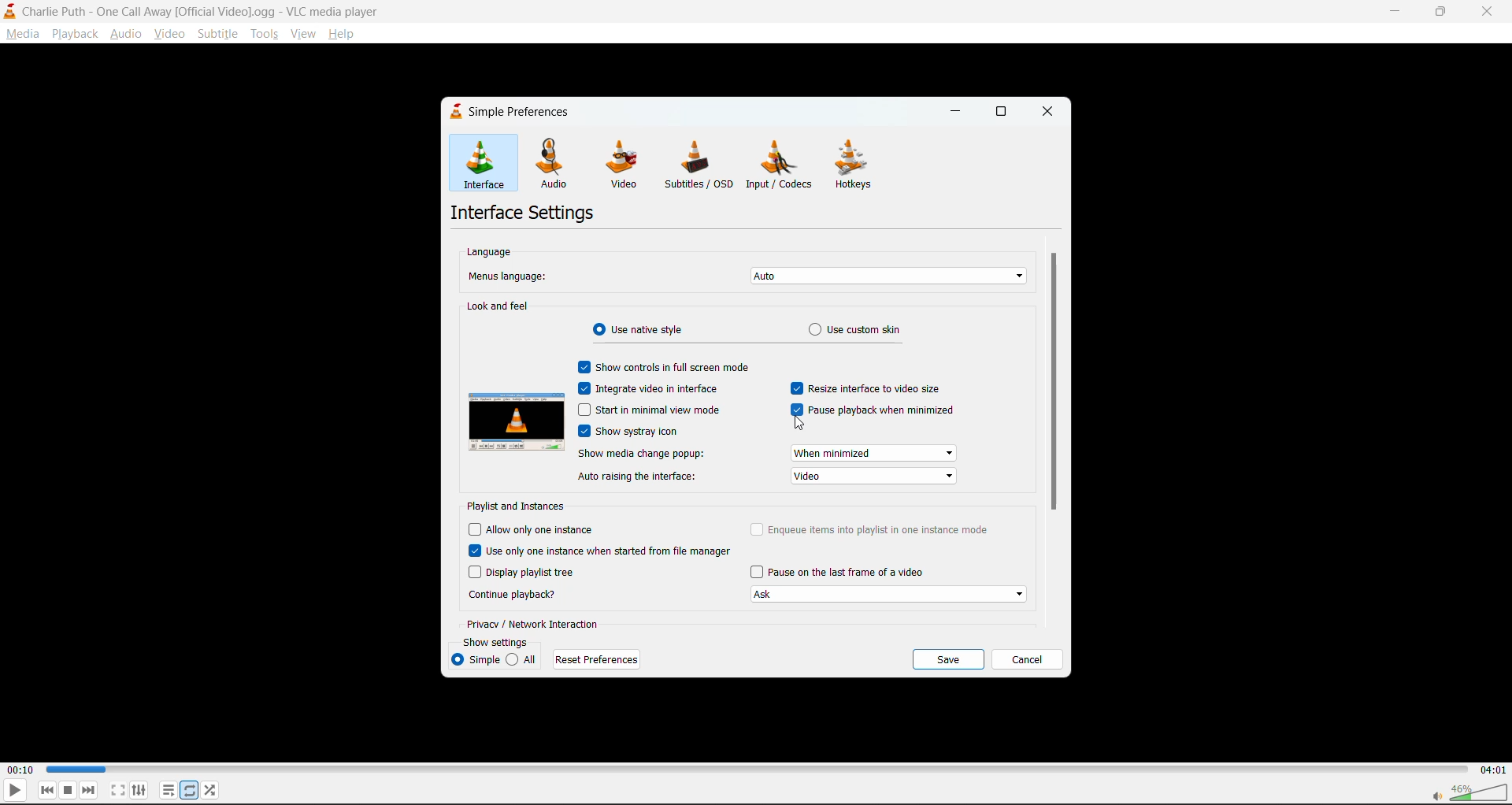  What do you see at coordinates (1492, 11) in the screenshot?
I see `close` at bounding box center [1492, 11].